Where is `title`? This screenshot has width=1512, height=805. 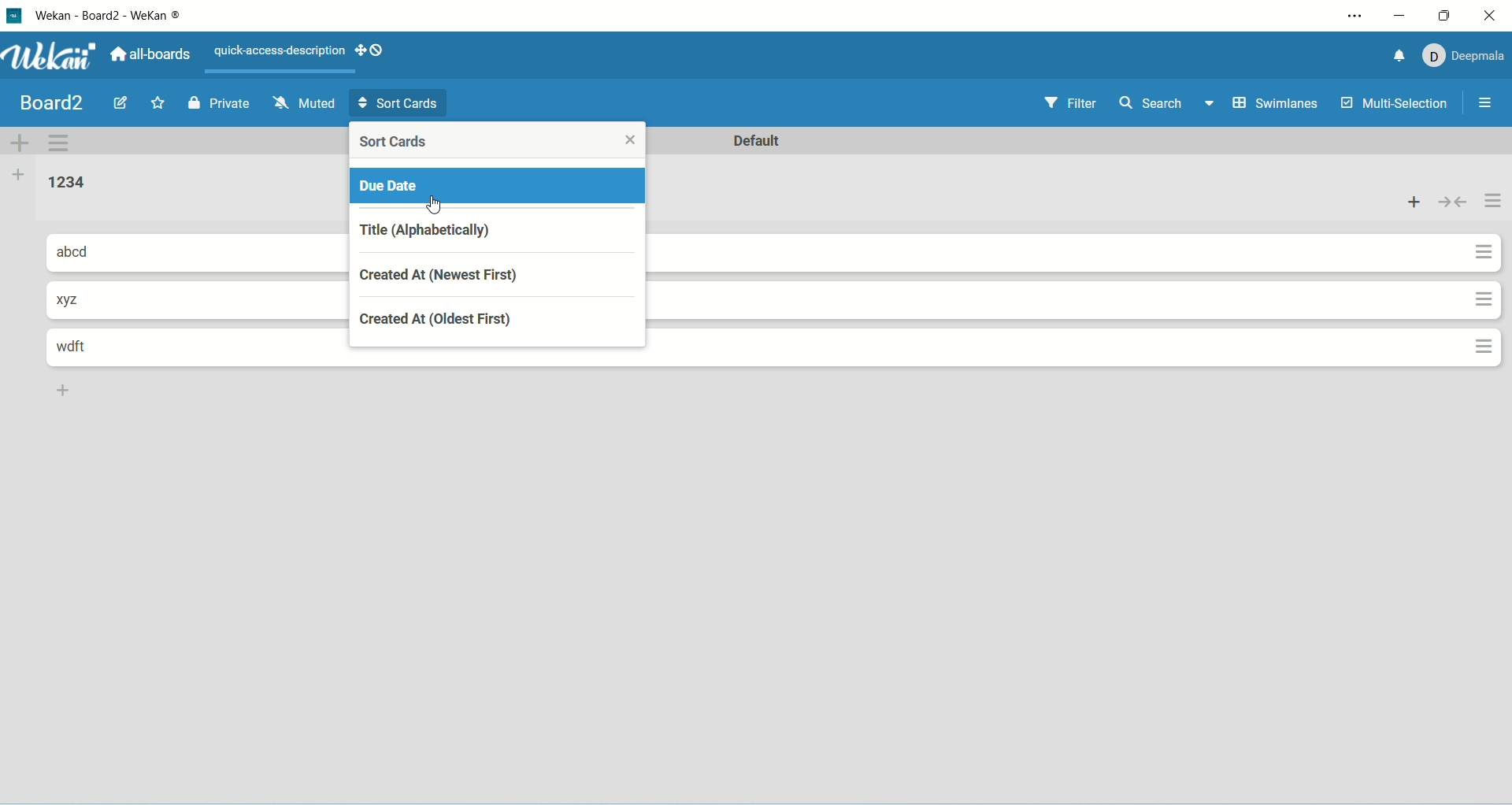
title is located at coordinates (122, 17).